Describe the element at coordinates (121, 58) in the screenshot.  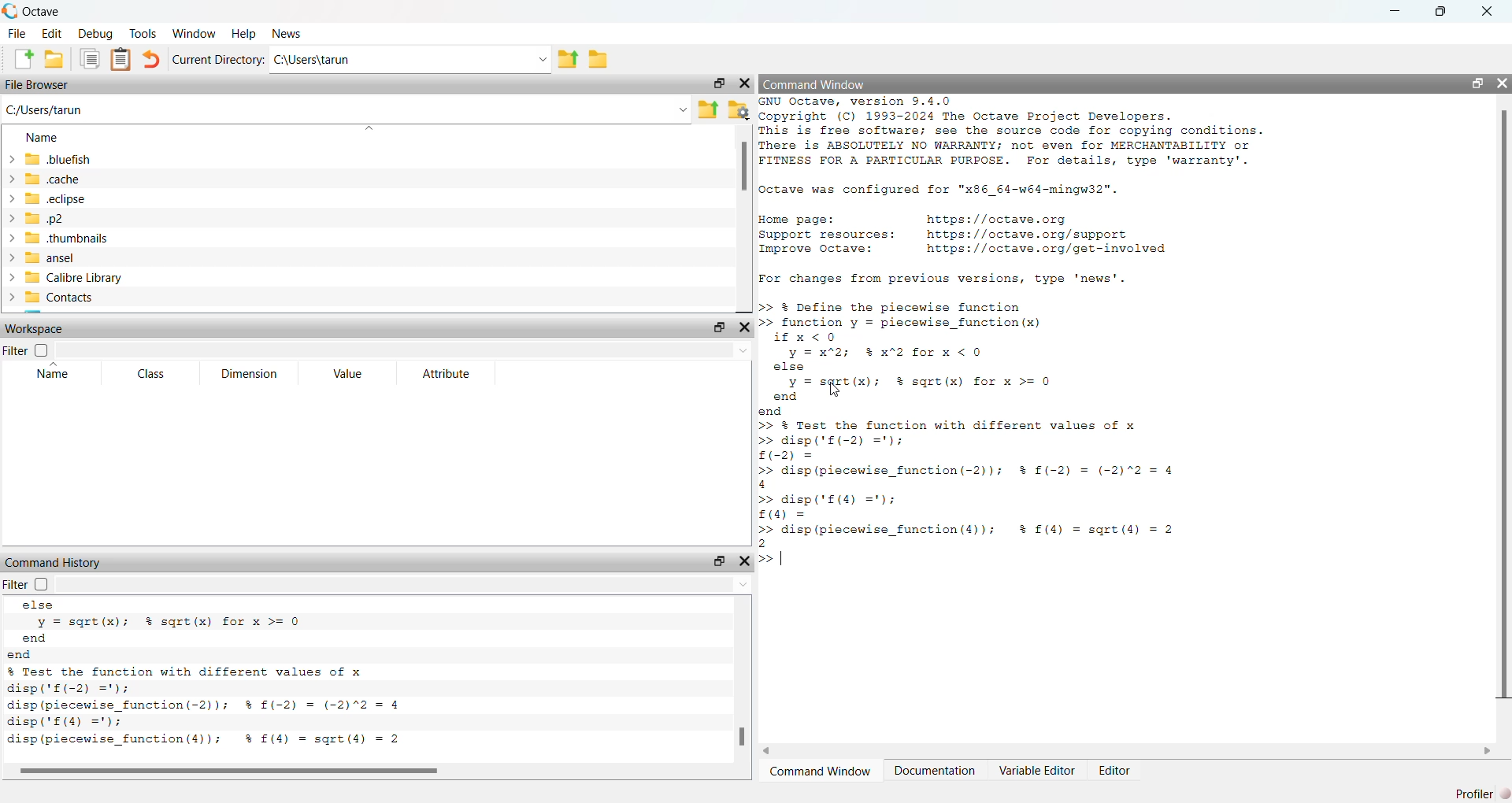
I see `Paste` at that location.